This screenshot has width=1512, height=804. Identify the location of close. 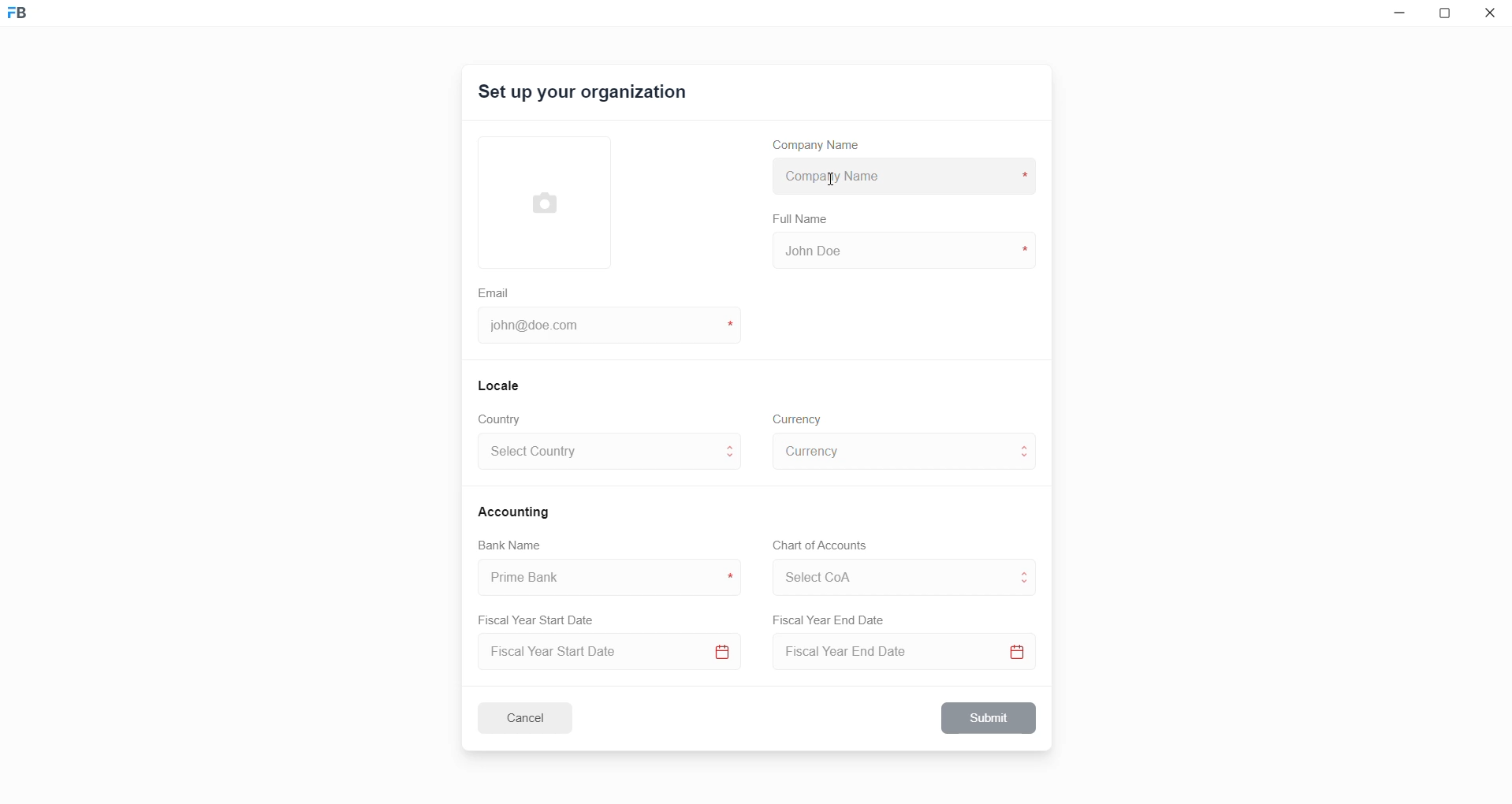
(1491, 16).